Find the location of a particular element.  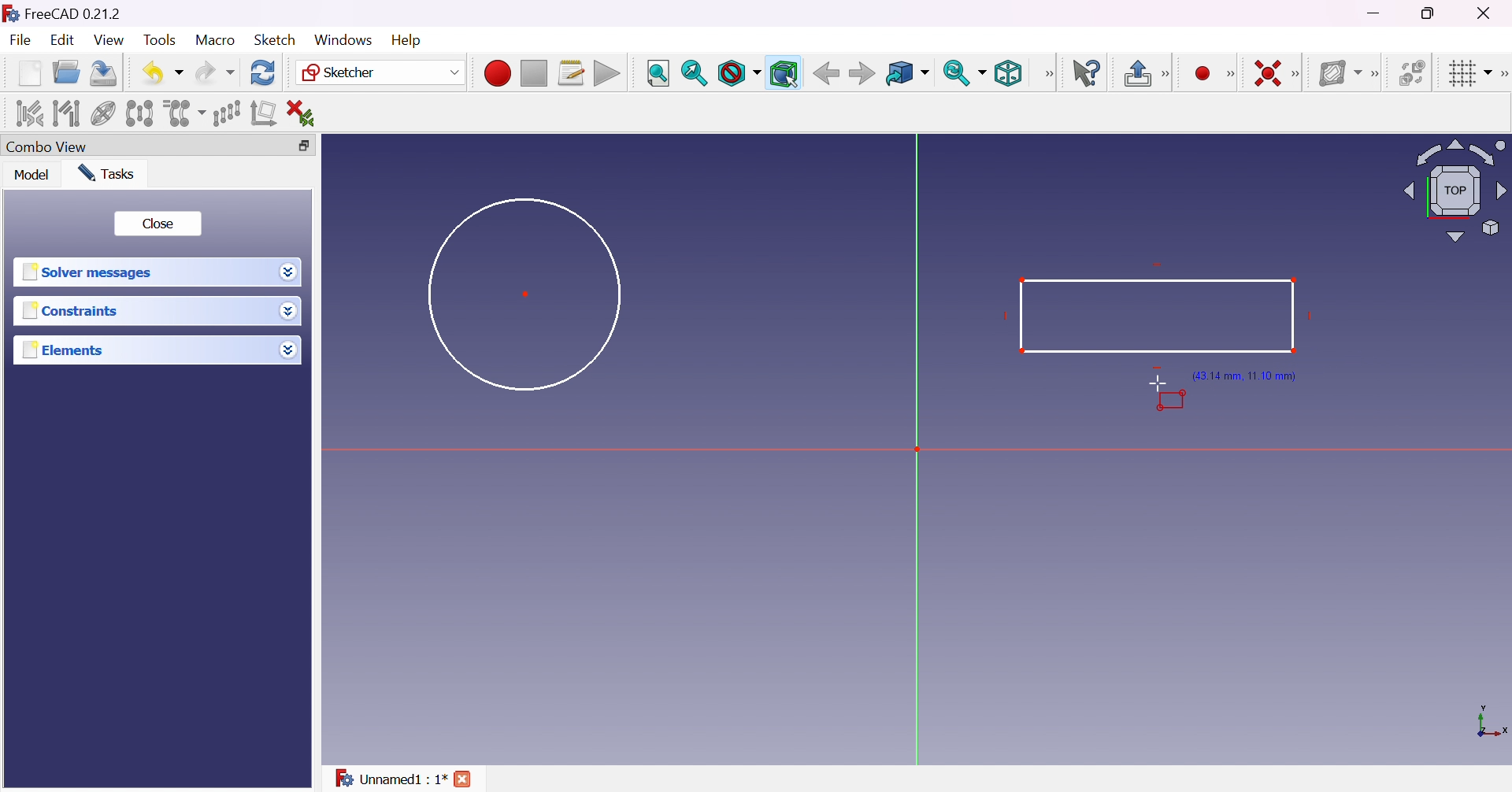

 is located at coordinates (965, 74).